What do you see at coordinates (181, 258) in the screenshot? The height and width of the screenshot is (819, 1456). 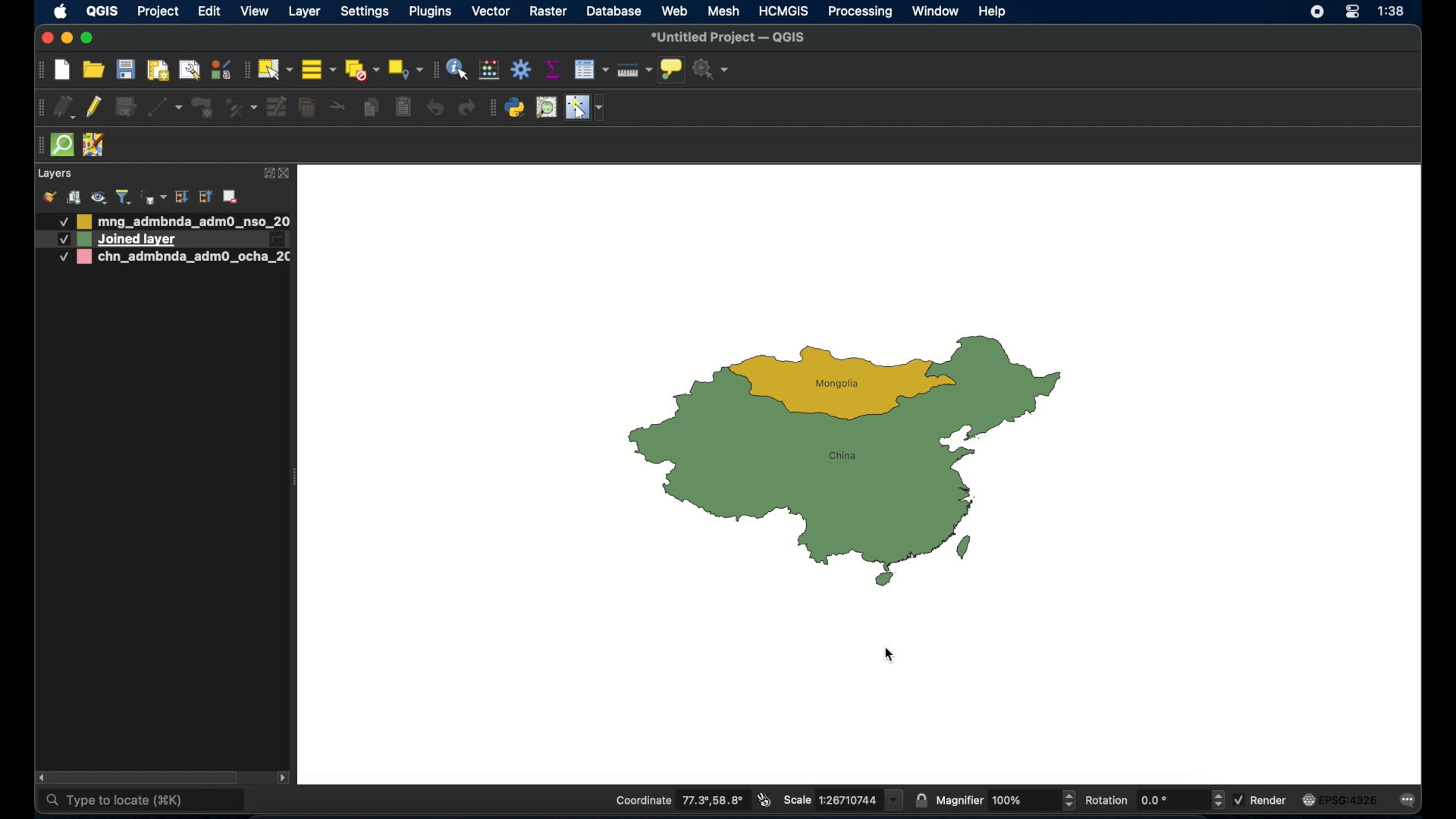 I see `layer 2` at bounding box center [181, 258].